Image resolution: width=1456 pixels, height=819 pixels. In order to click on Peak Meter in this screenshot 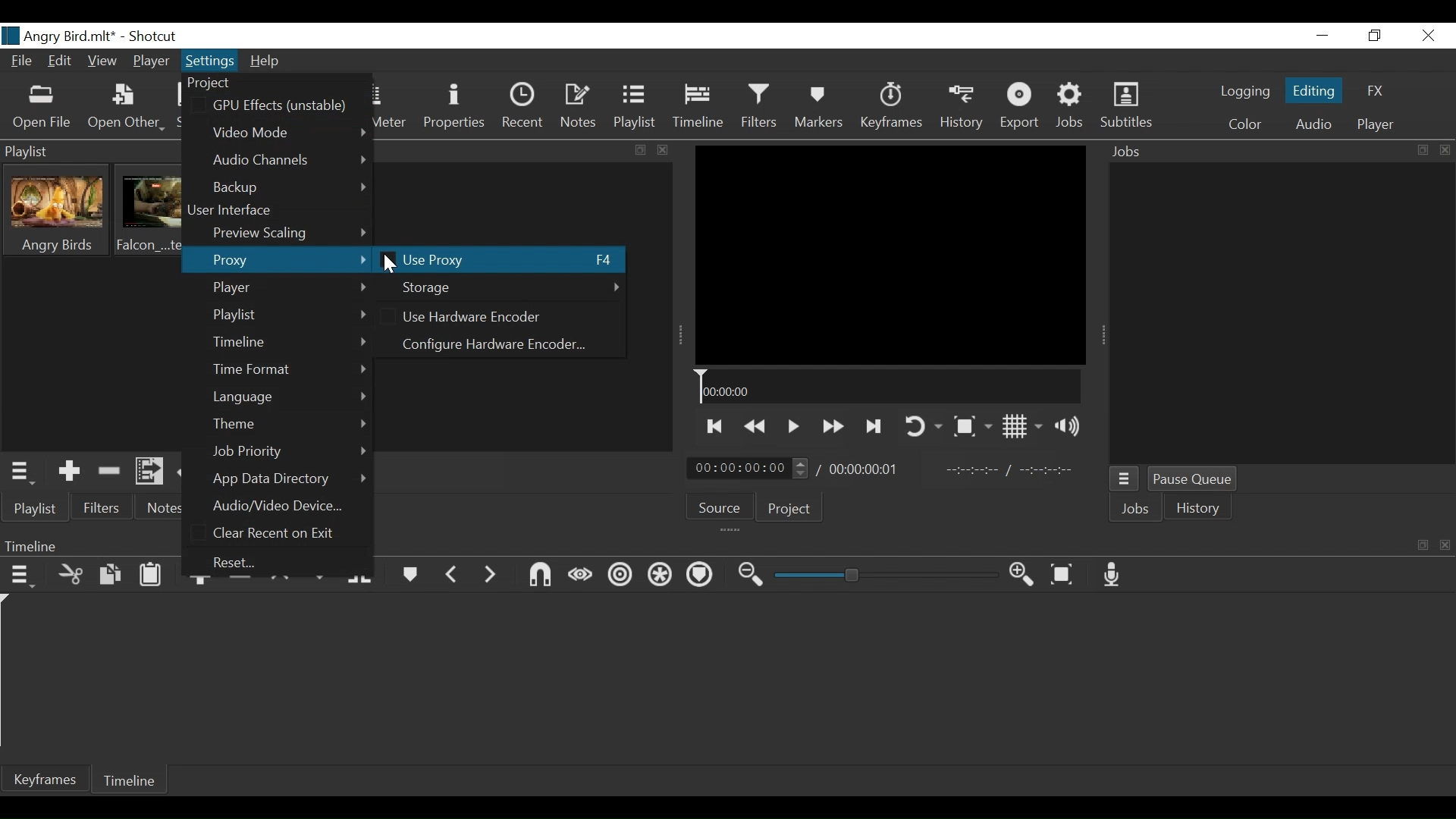, I will do `click(393, 108)`.